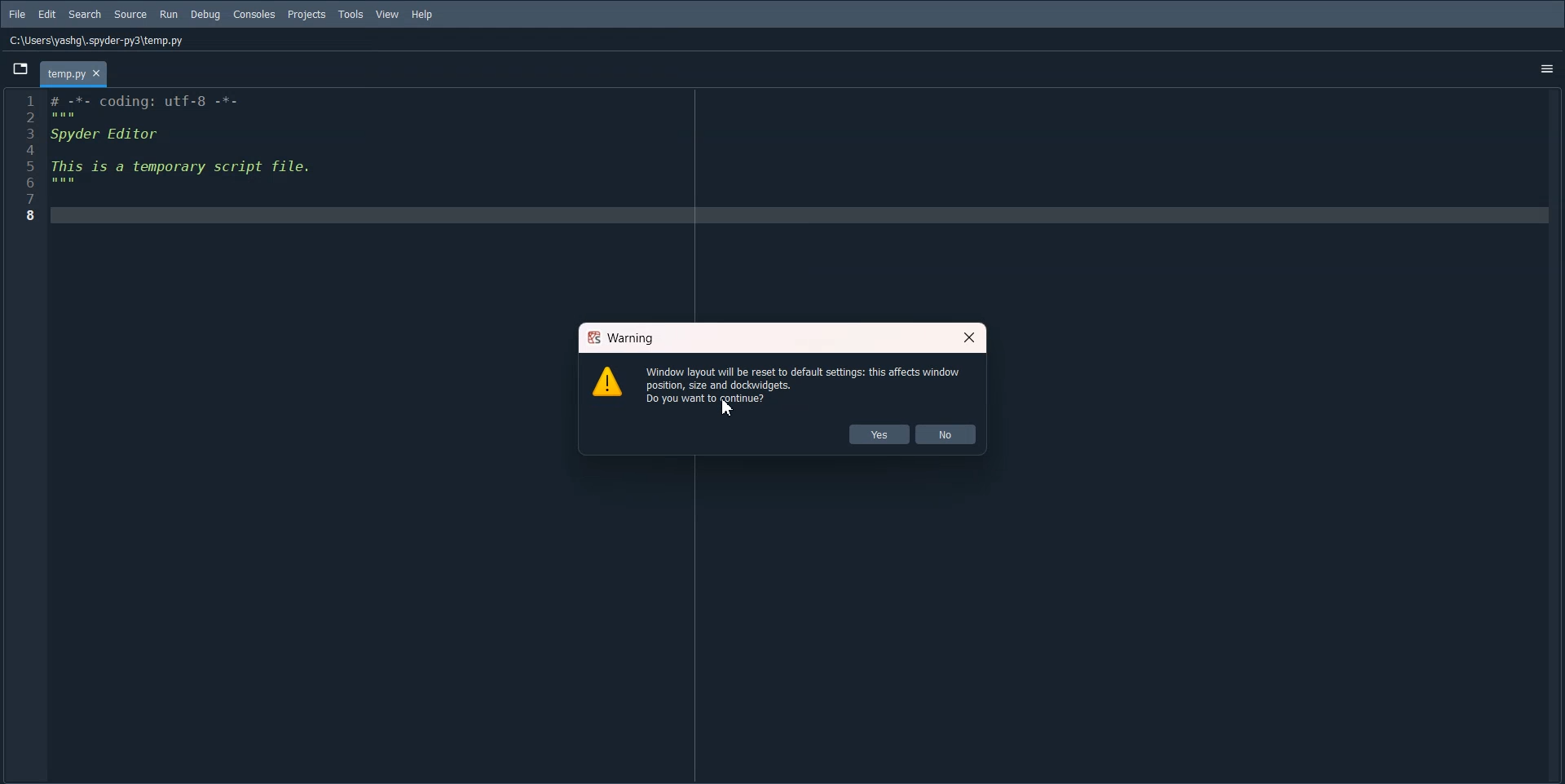 Image resolution: width=1565 pixels, height=784 pixels. I want to click on View, so click(388, 15).